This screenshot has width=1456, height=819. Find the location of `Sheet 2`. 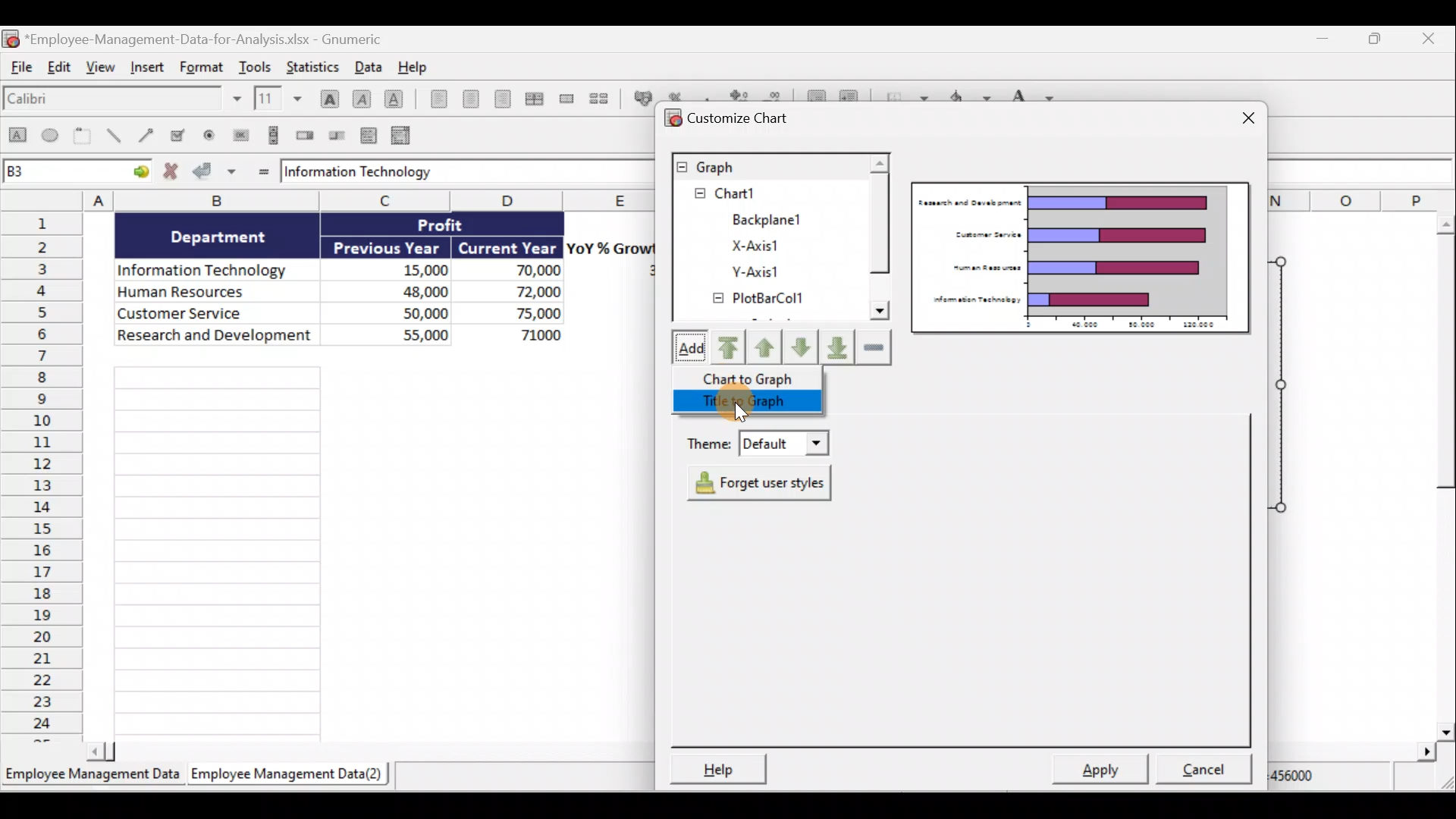

Sheet 2 is located at coordinates (290, 774).